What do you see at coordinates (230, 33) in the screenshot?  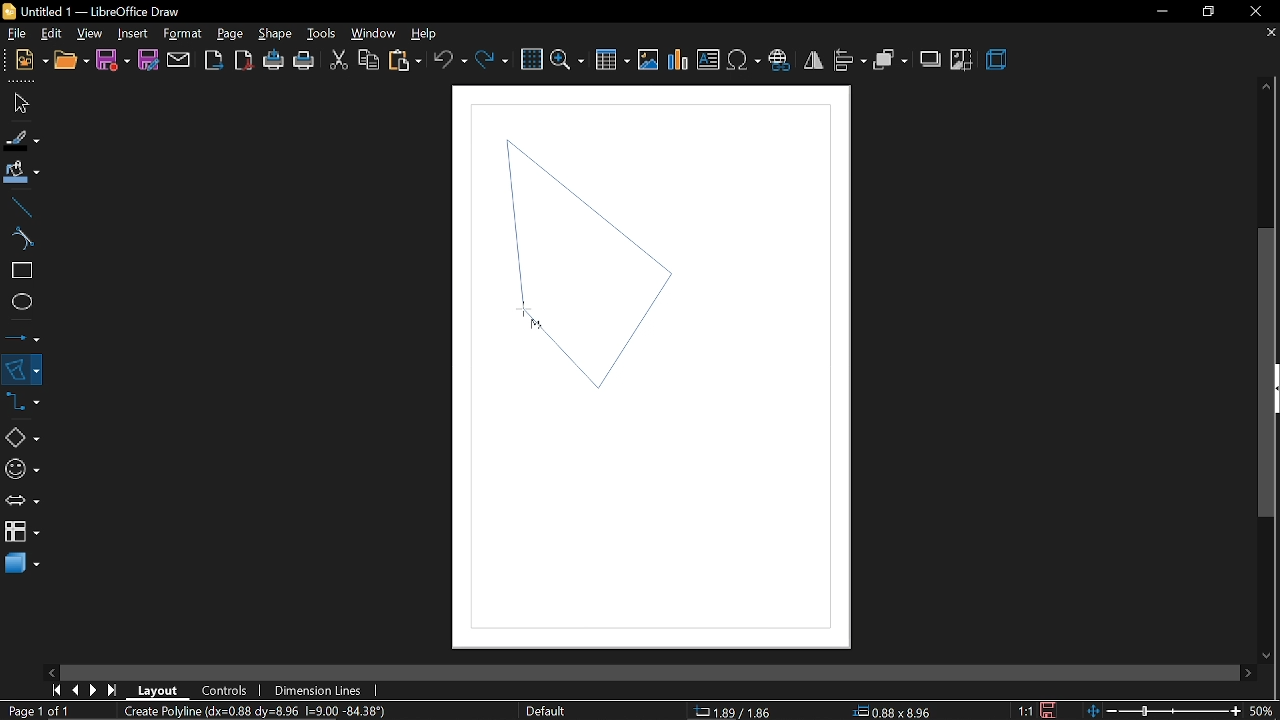 I see `page` at bounding box center [230, 33].